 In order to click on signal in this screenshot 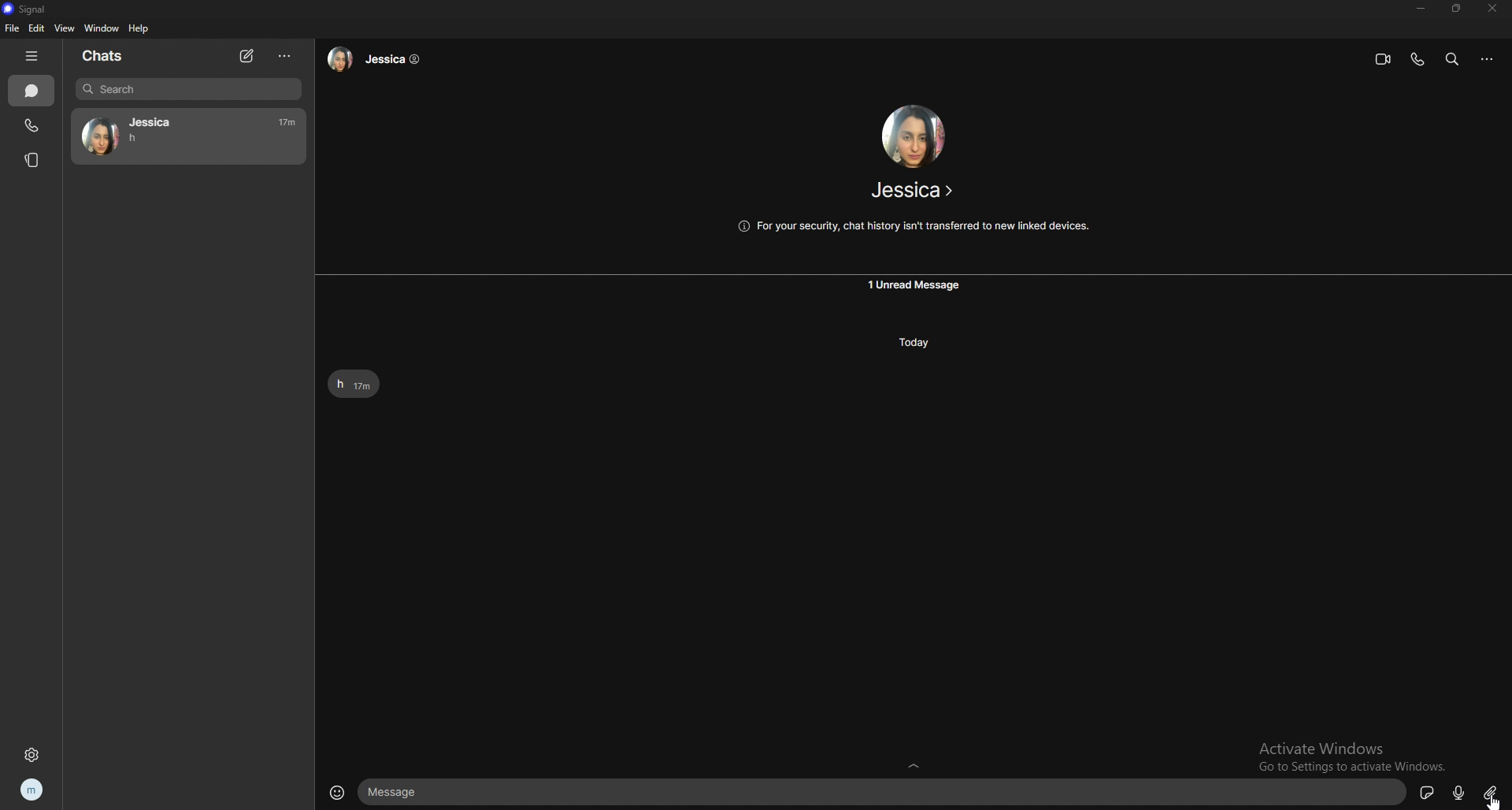, I will do `click(27, 9)`.